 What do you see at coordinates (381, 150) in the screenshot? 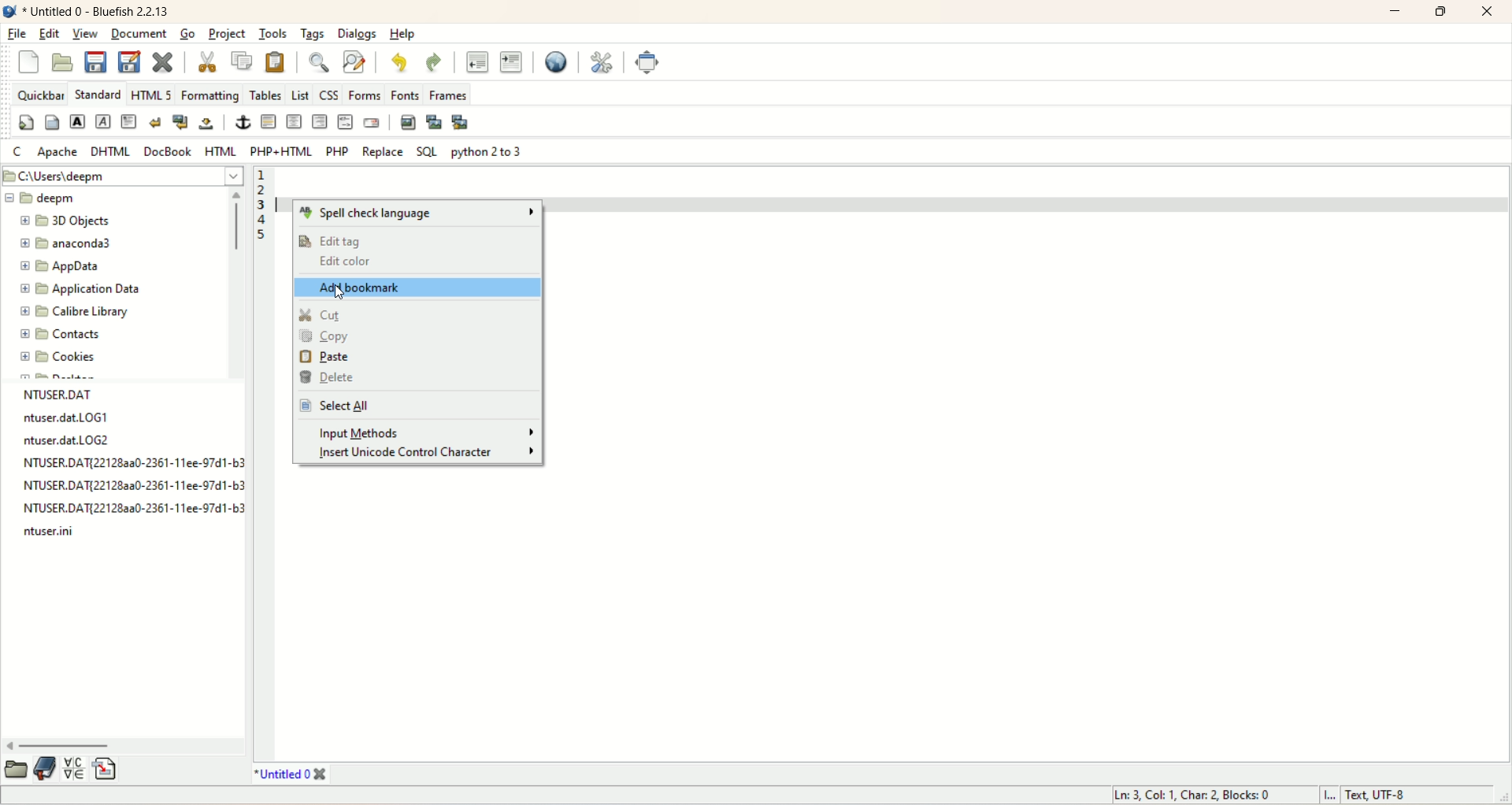
I see `REPLACE` at bounding box center [381, 150].